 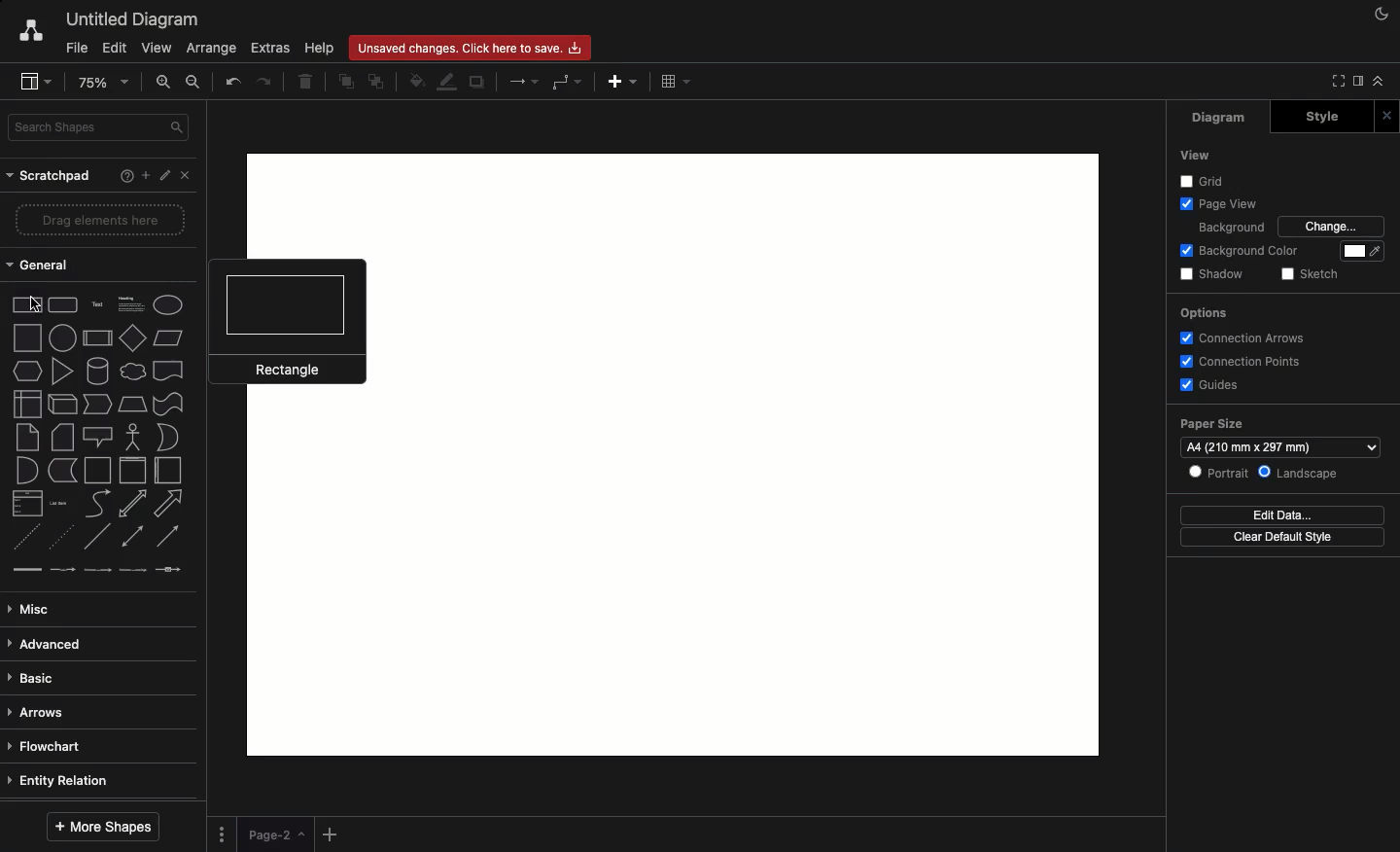 I want to click on container, so click(x=97, y=469).